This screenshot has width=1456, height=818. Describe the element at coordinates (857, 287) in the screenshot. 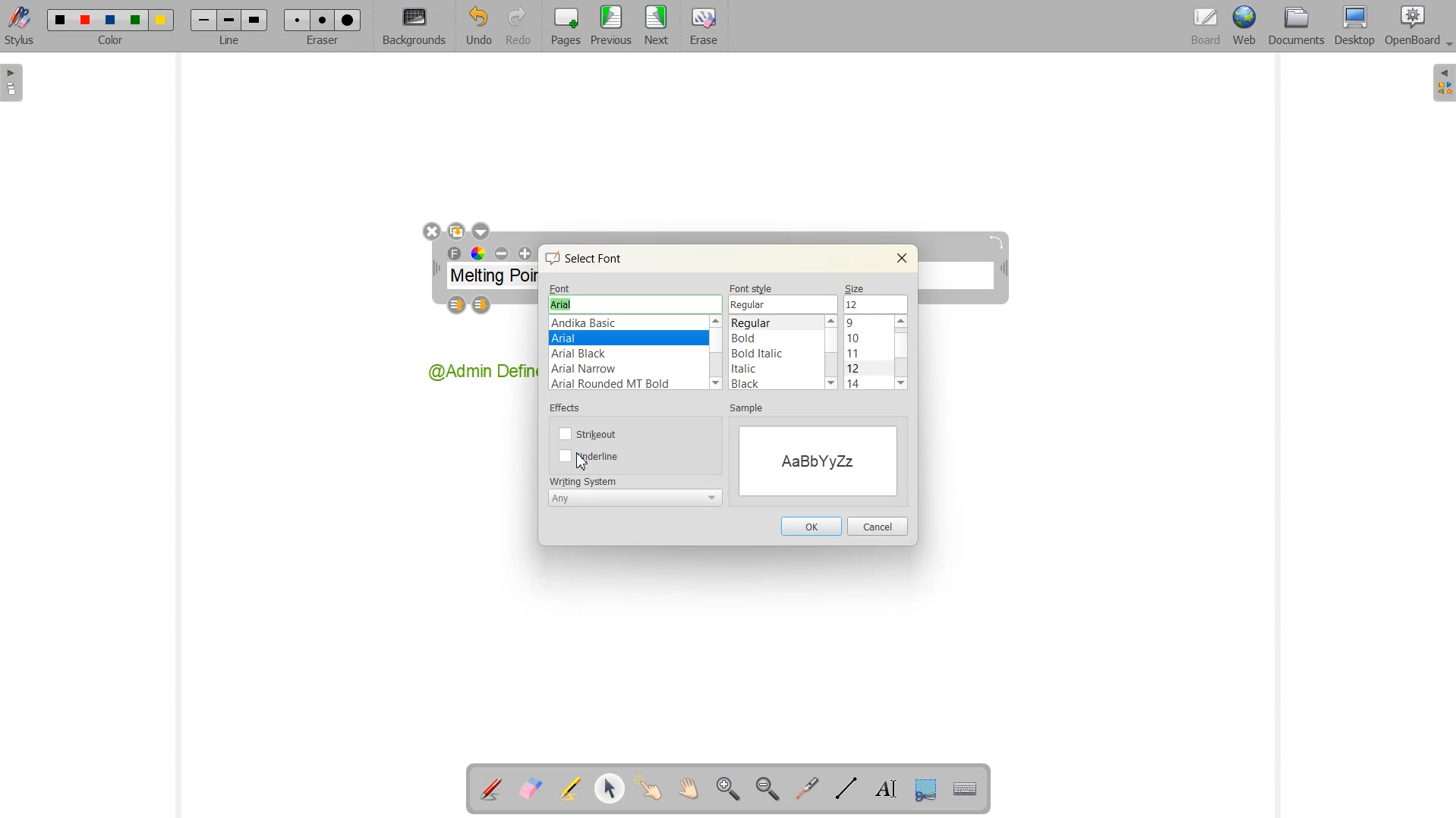

I see `size` at that location.